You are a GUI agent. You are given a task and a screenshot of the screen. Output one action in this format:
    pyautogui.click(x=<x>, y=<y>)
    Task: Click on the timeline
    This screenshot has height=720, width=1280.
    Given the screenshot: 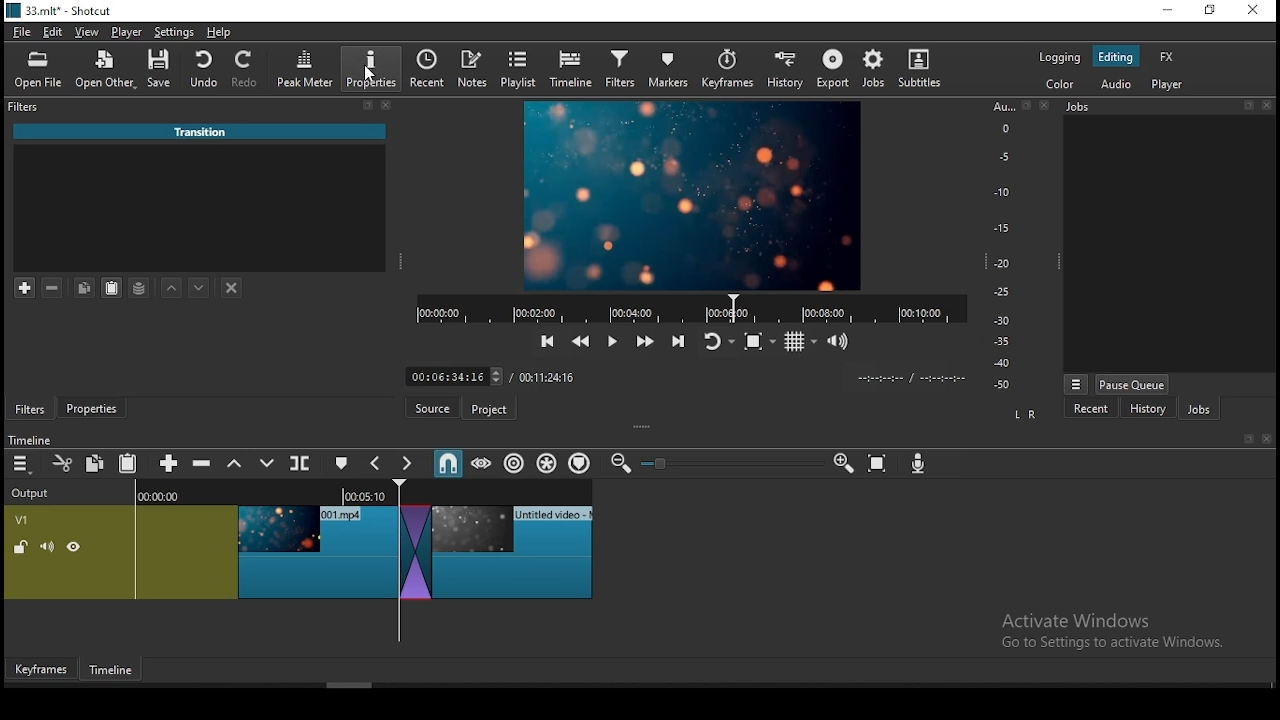 What is the action you would take?
    pyautogui.click(x=571, y=70)
    